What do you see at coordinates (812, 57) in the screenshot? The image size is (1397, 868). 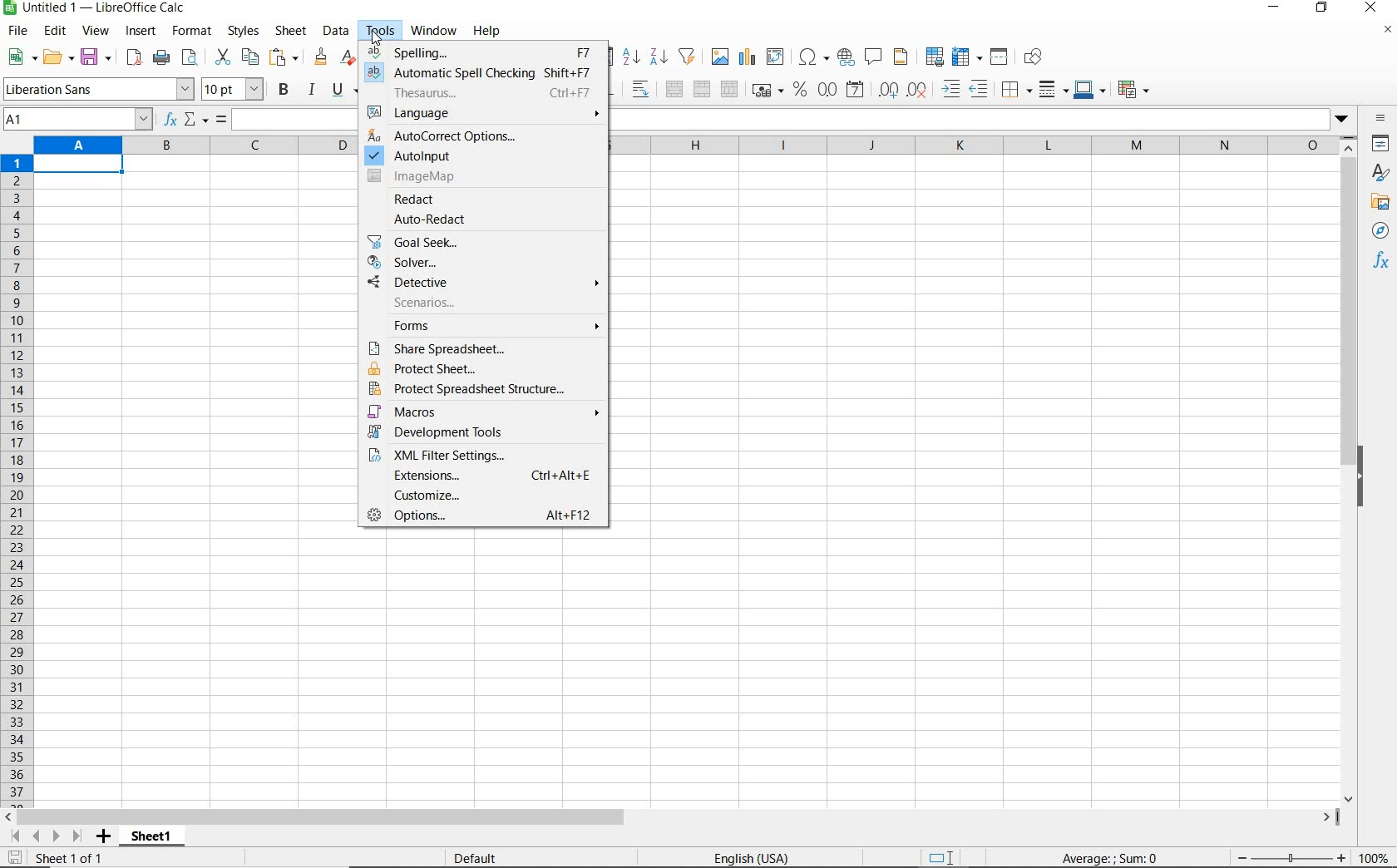 I see `insert special characters` at bounding box center [812, 57].